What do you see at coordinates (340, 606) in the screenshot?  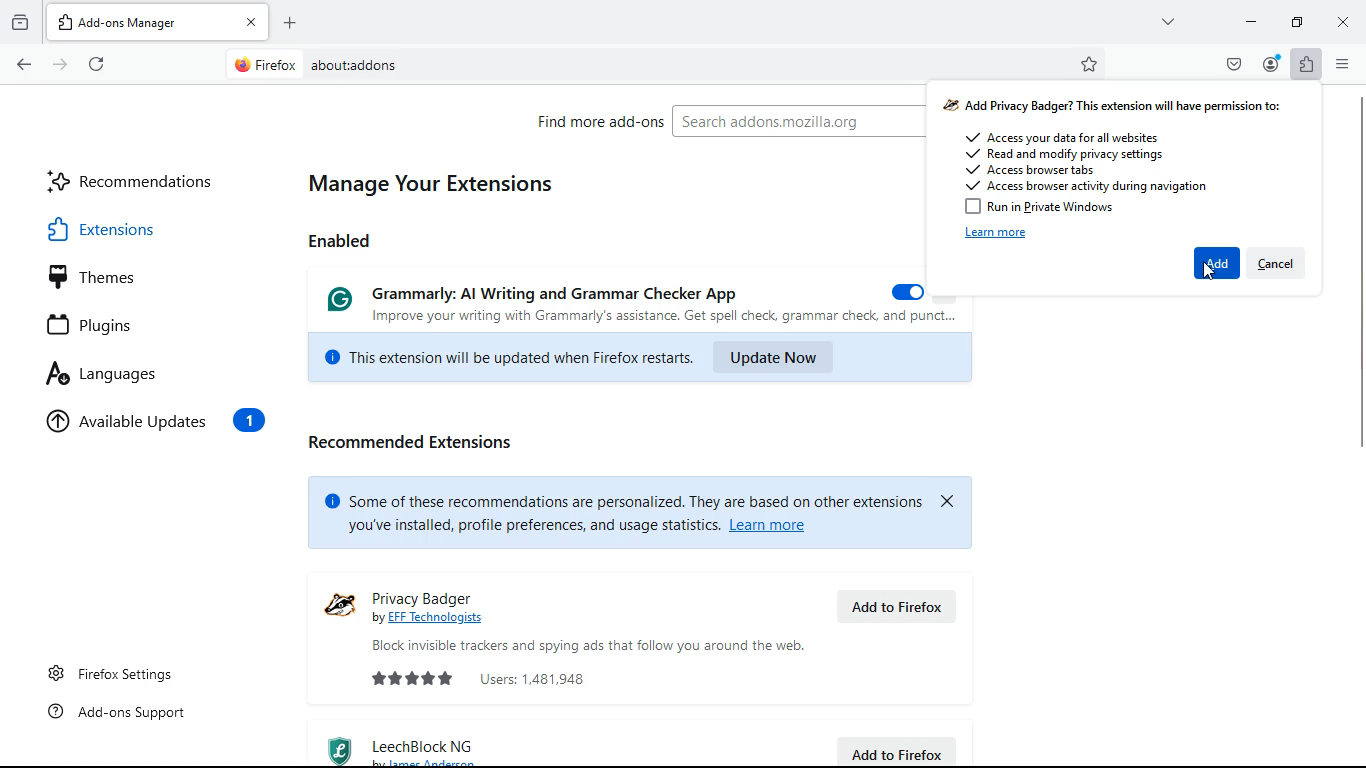 I see `logo` at bounding box center [340, 606].